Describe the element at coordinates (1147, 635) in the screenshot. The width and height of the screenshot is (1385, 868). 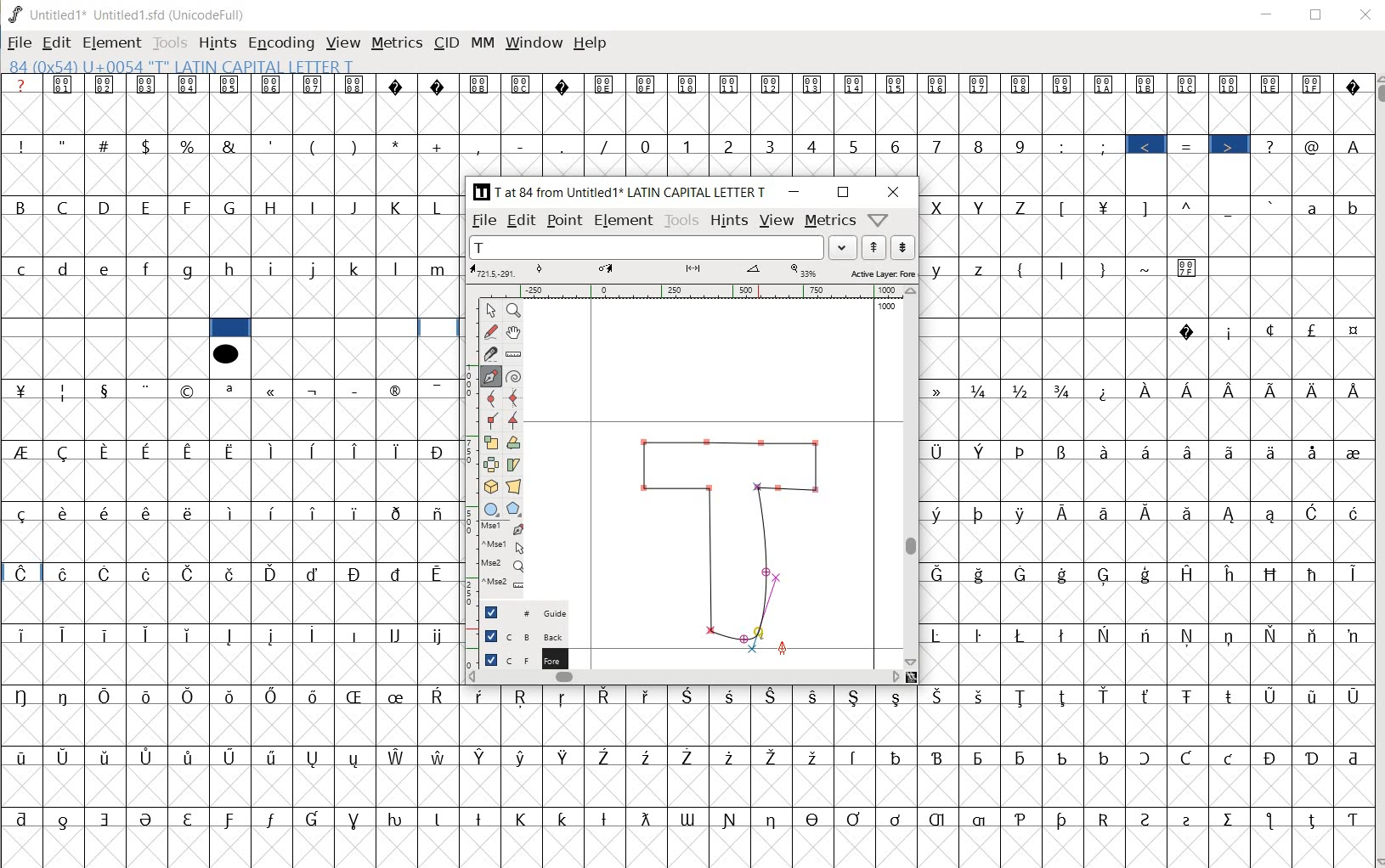
I see `Symbol` at that location.